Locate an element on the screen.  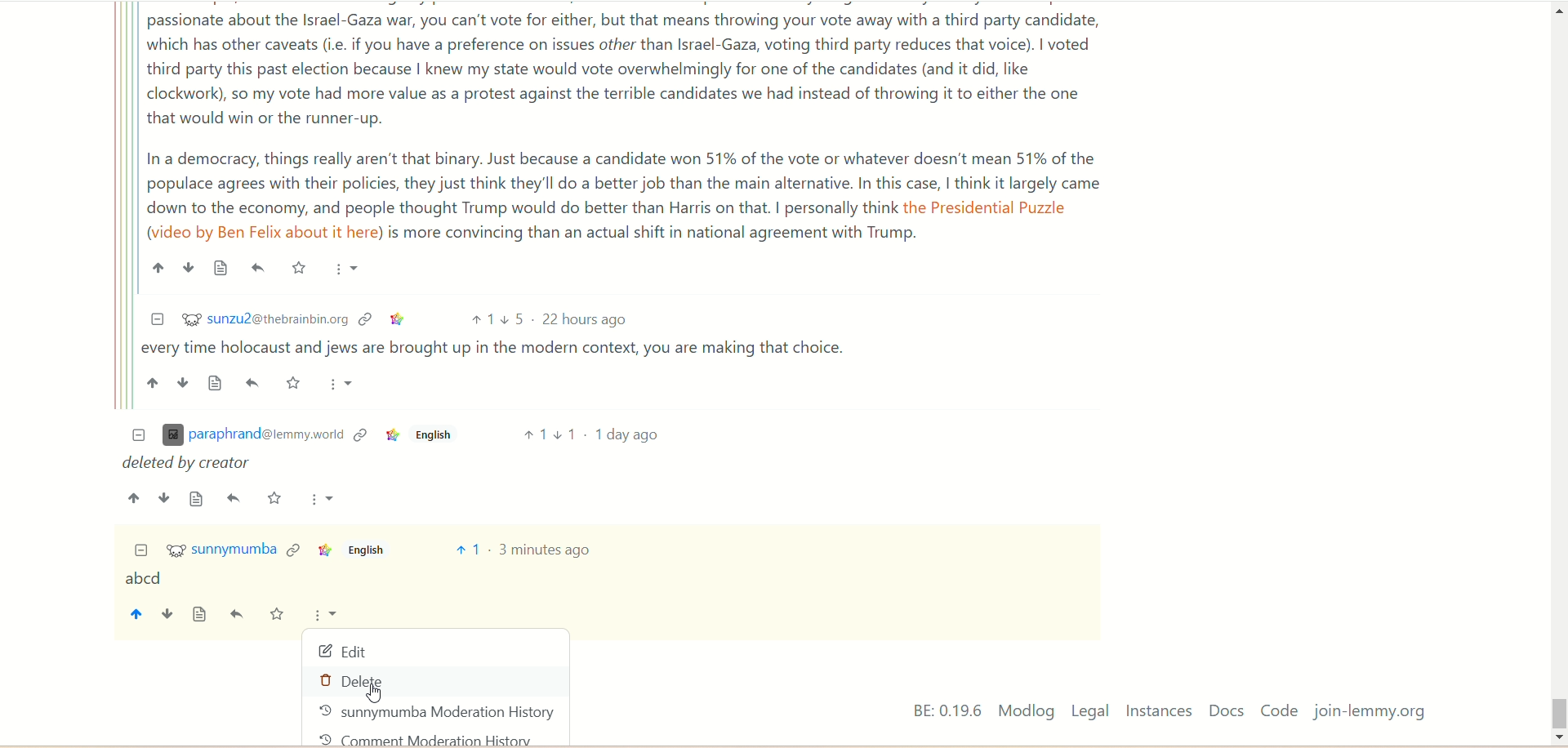
| every time holocaust and jews are brought up in the modern context, you are making that choice. is located at coordinates (500, 350).